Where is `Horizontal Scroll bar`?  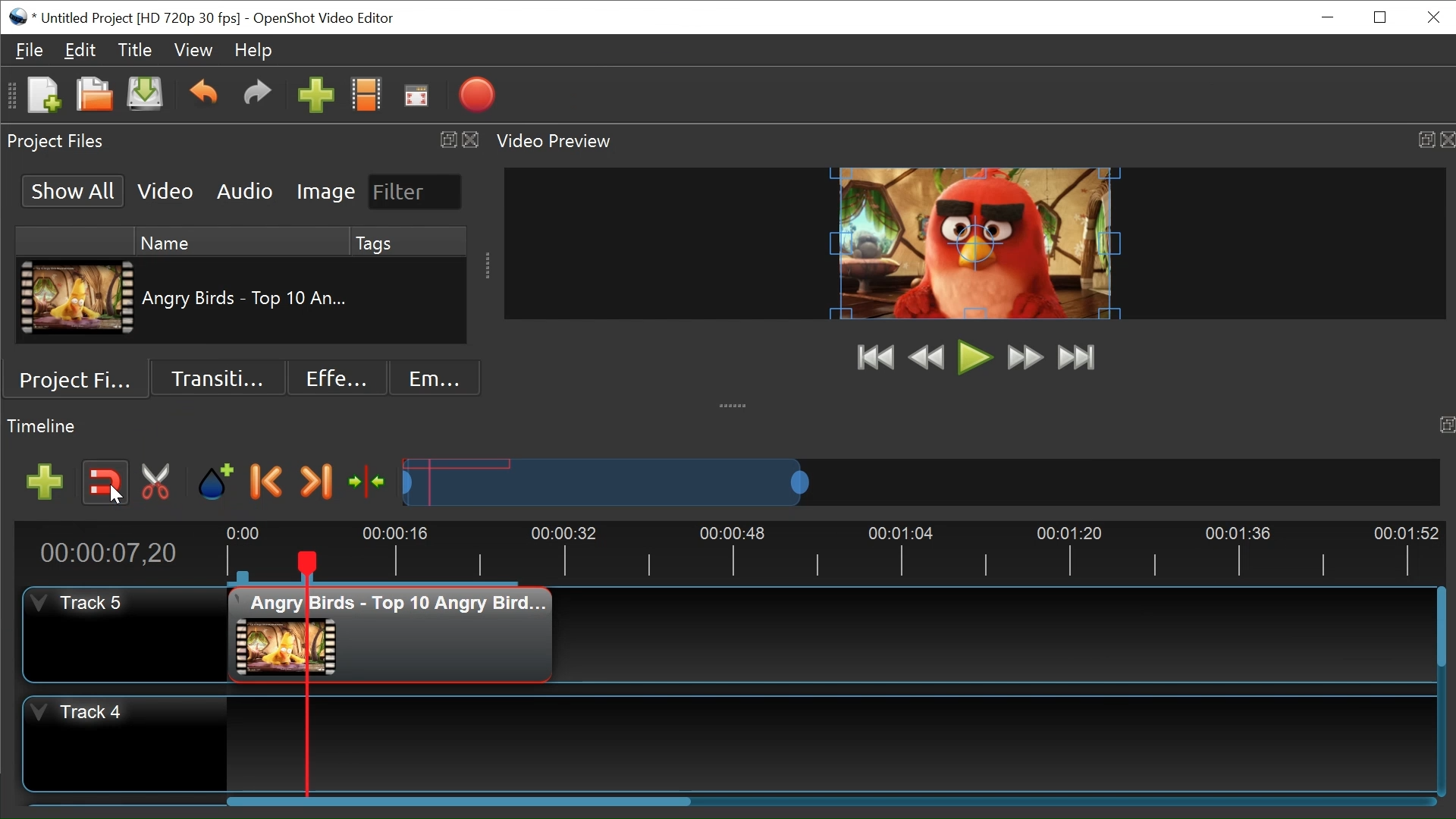 Horizontal Scroll bar is located at coordinates (459, 802).